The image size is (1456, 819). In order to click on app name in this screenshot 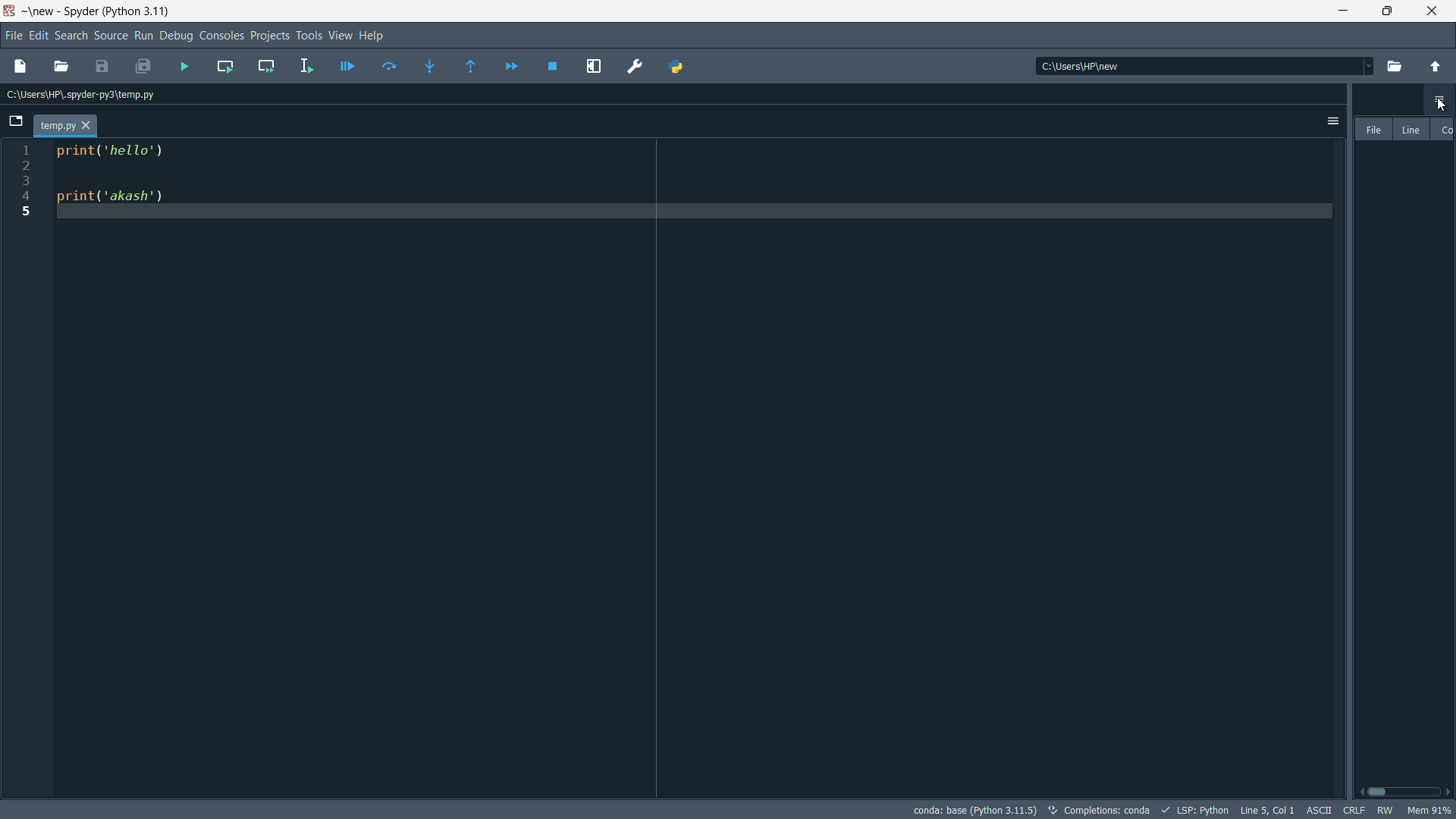, I will do `click(80, 12)`.